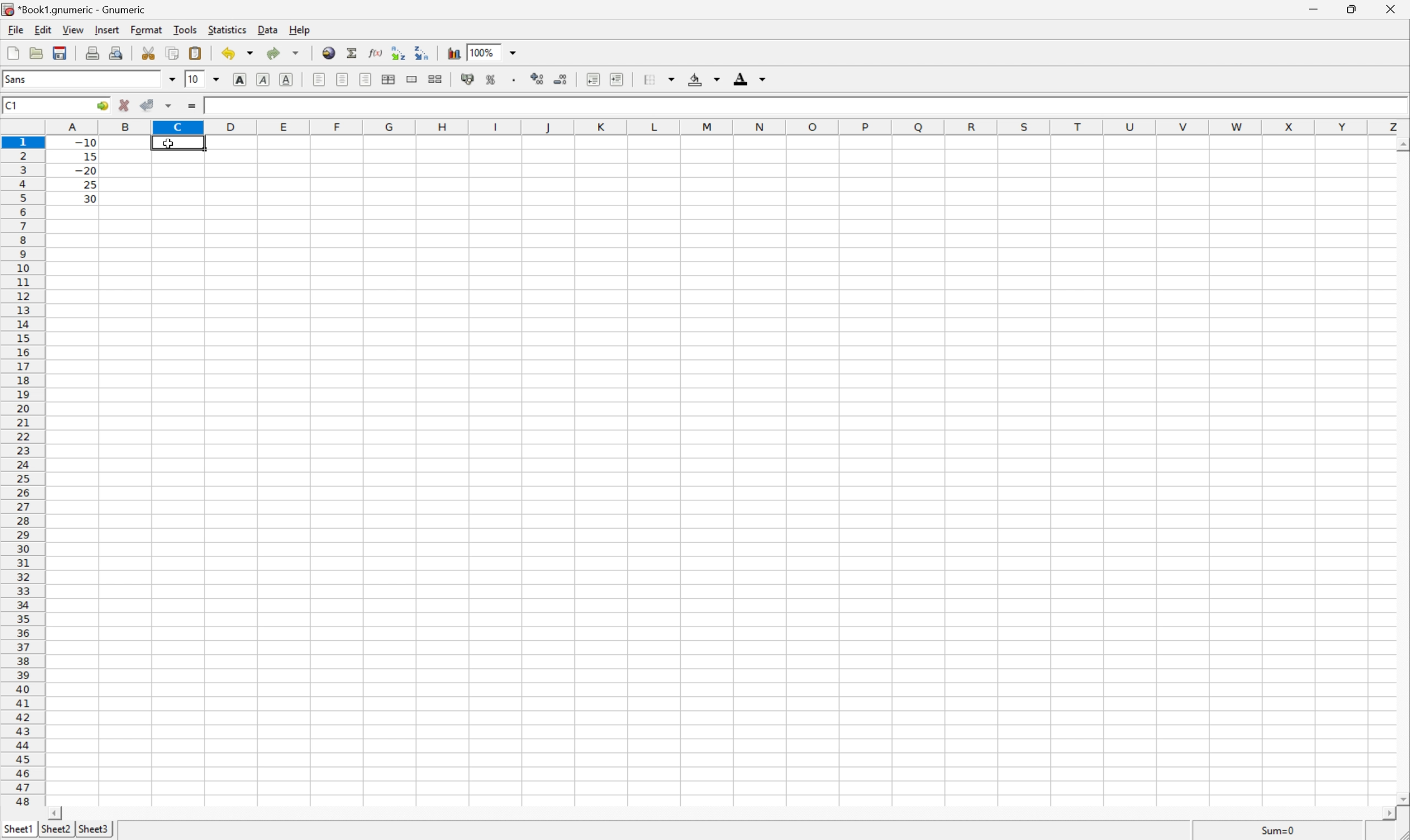 This screenshot has width=1410, height=840. Describe the element at coordinates (89, 185) in the screenshot. I see `25` at that location.